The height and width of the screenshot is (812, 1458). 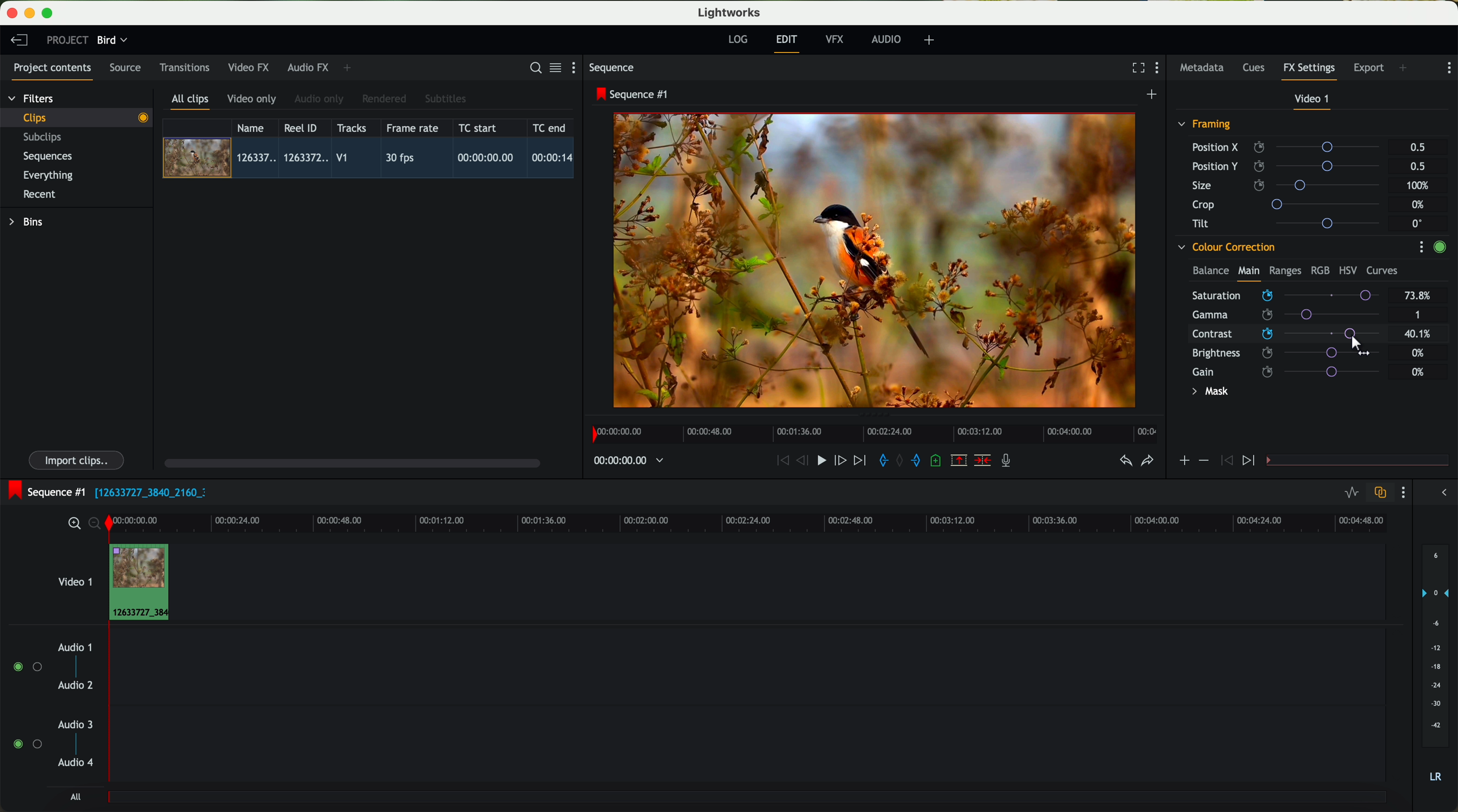 I want to click on cues, so click(x=1257, y=68).